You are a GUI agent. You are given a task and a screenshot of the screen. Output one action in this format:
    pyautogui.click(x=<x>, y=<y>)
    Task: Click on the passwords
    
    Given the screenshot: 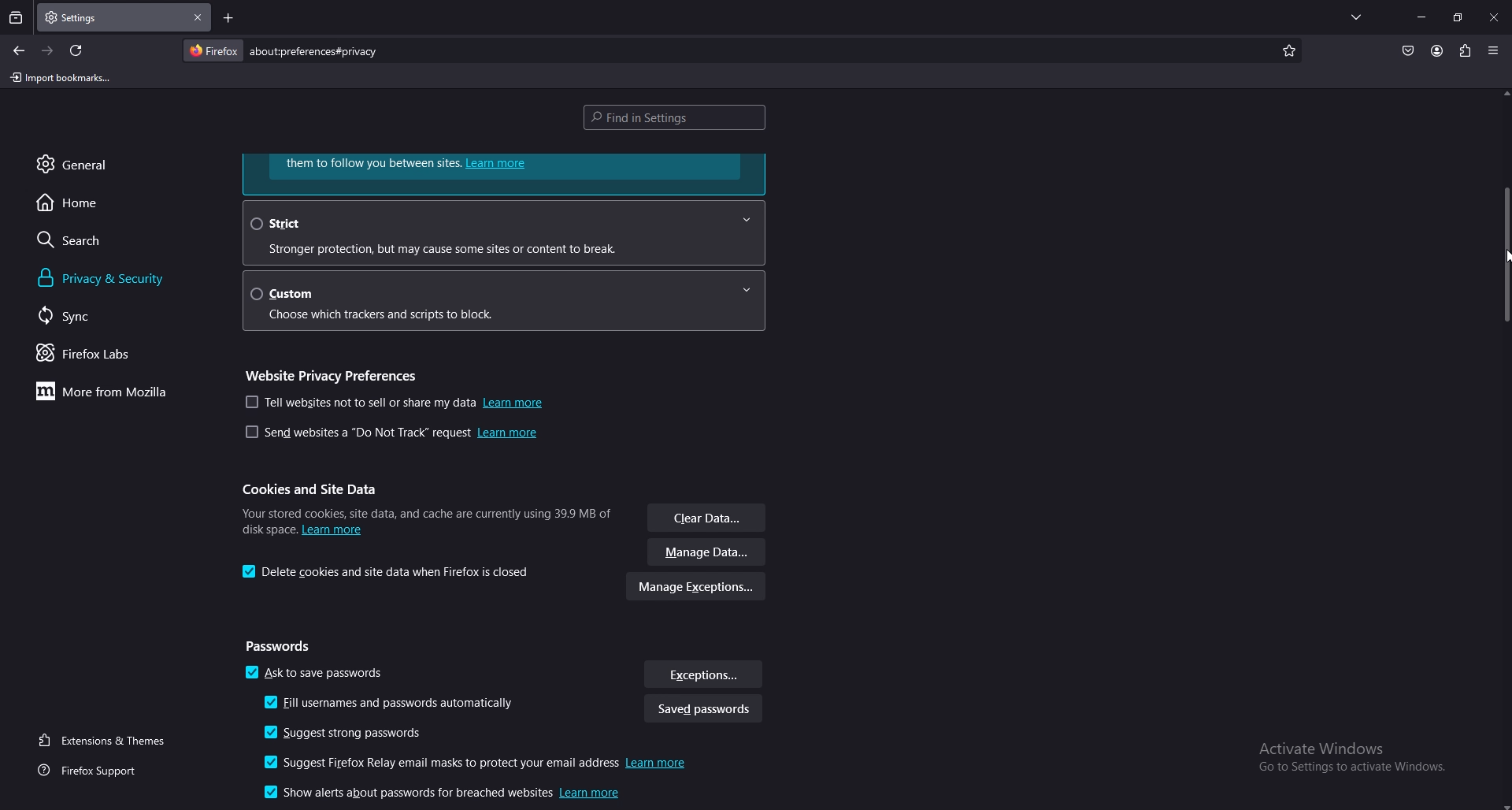 What is the action you would take?
    pyautogui.click(x=283, y=647)
    